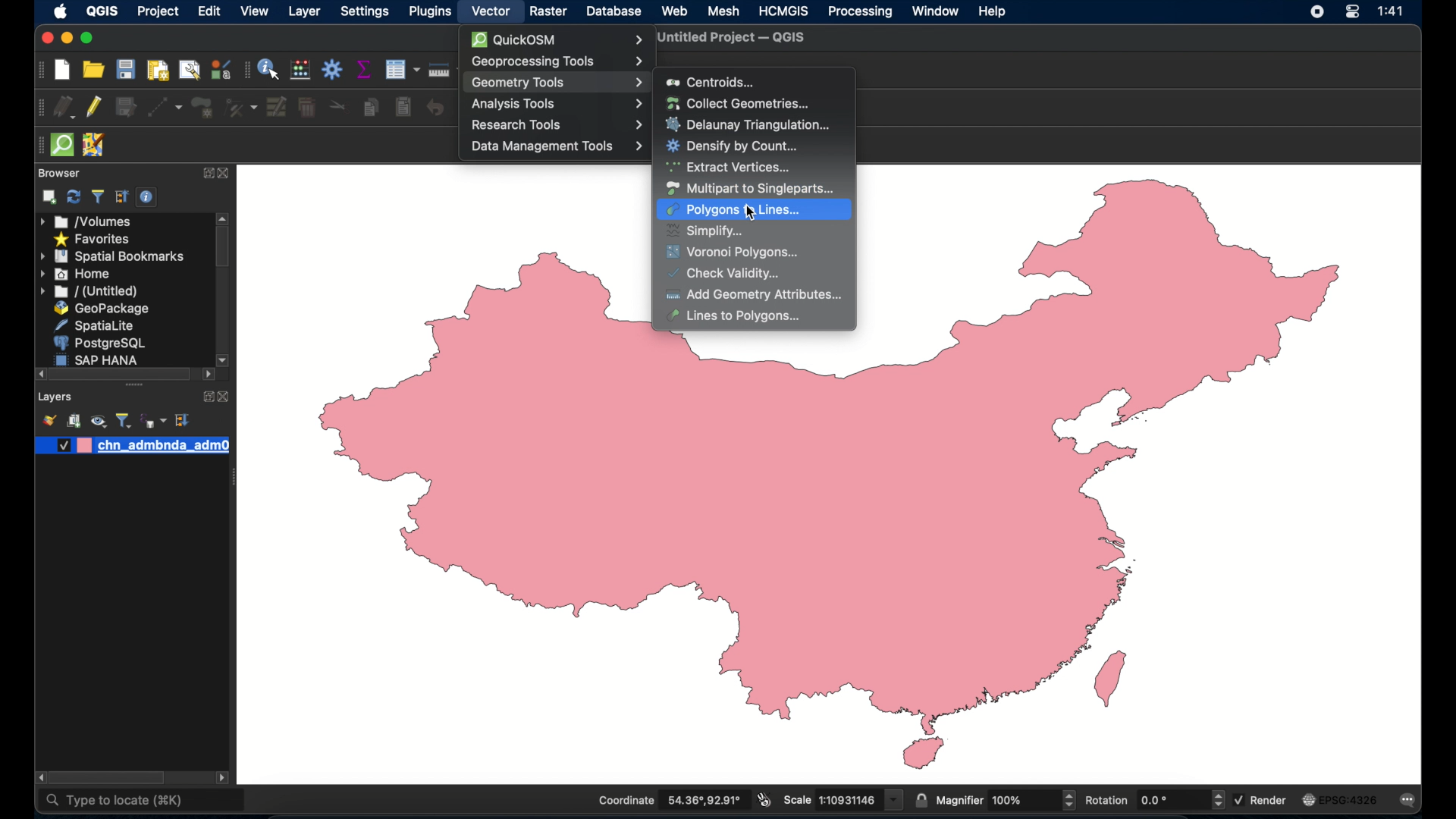 This screenshot has width=1456, height=819. Describe the element at coordinates (303, 12) in the screenshot. I see `layer` at that location.